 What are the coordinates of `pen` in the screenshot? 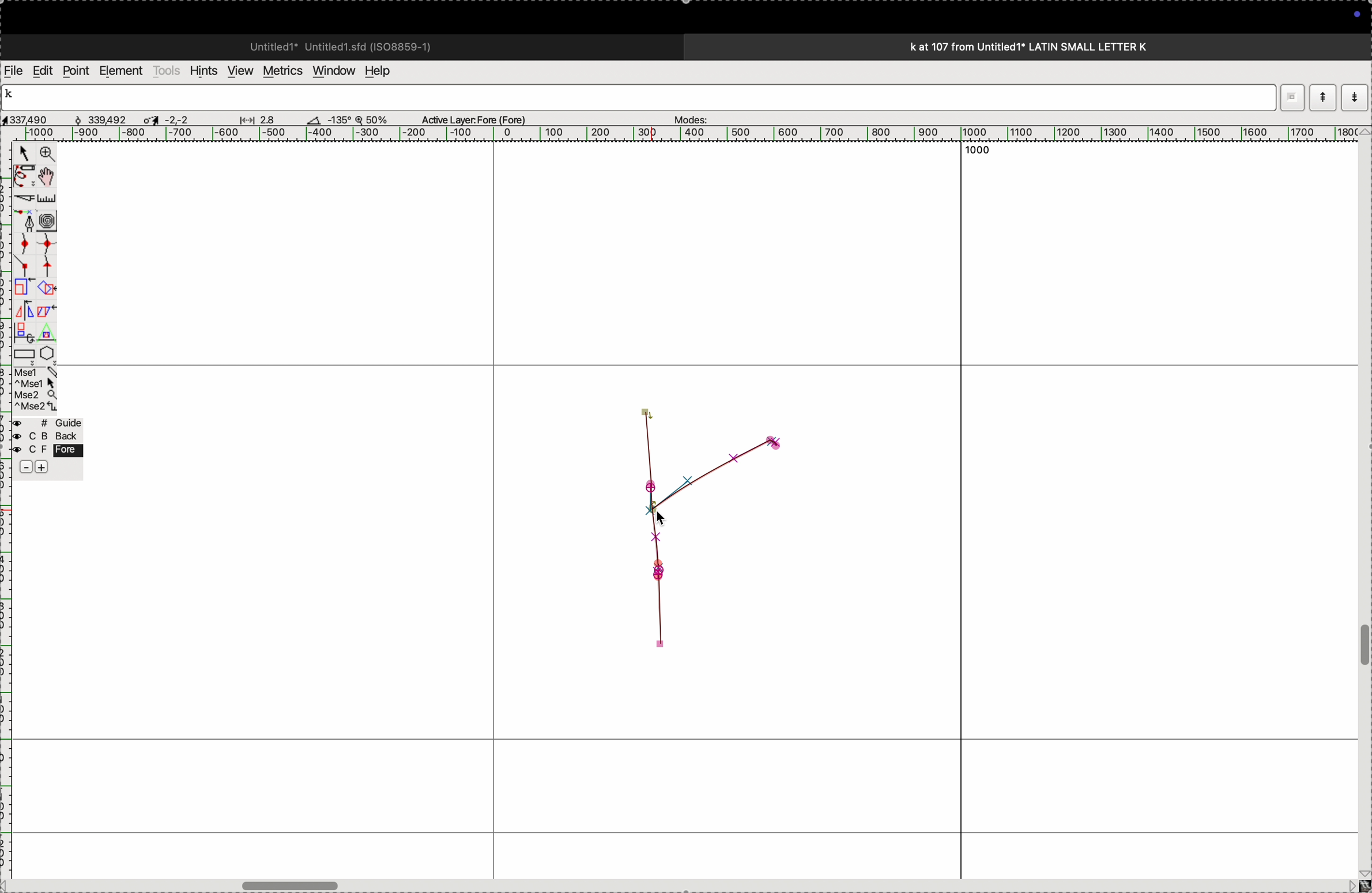 It's located at (24, 176).